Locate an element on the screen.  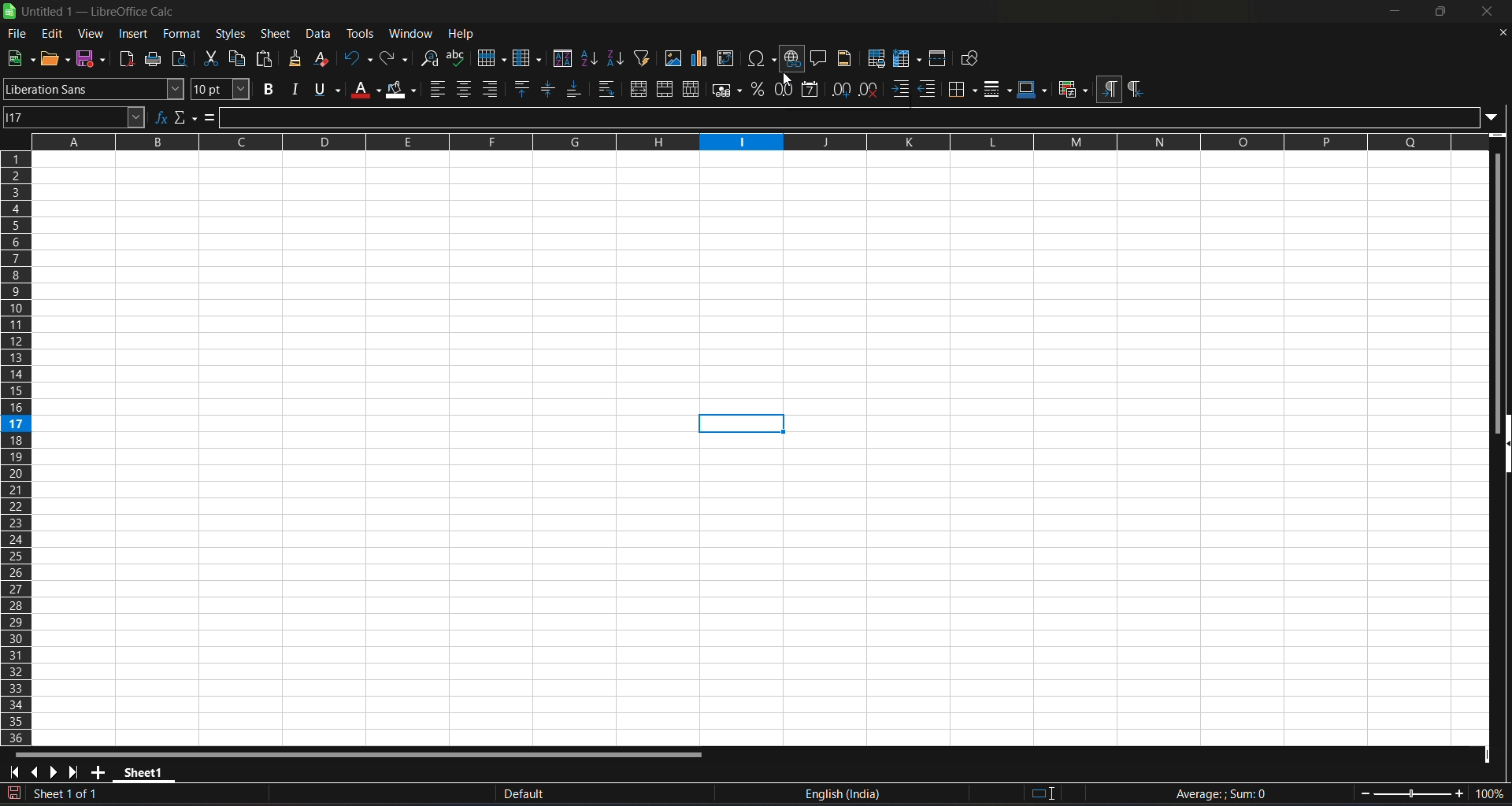
define print area is located at coordinates (876, 57).